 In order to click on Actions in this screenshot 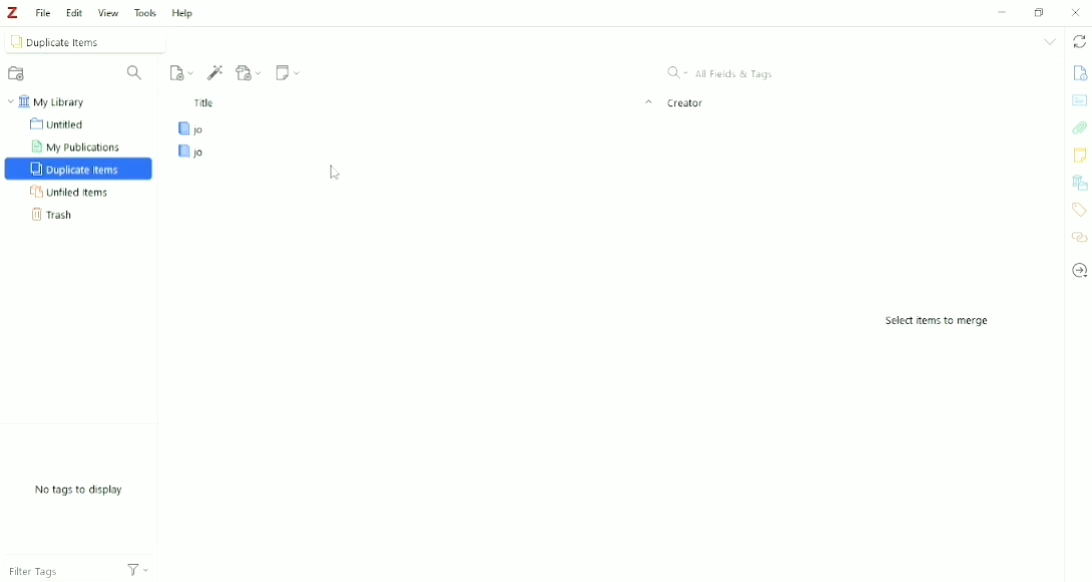, I will do `click(139, 571)`.